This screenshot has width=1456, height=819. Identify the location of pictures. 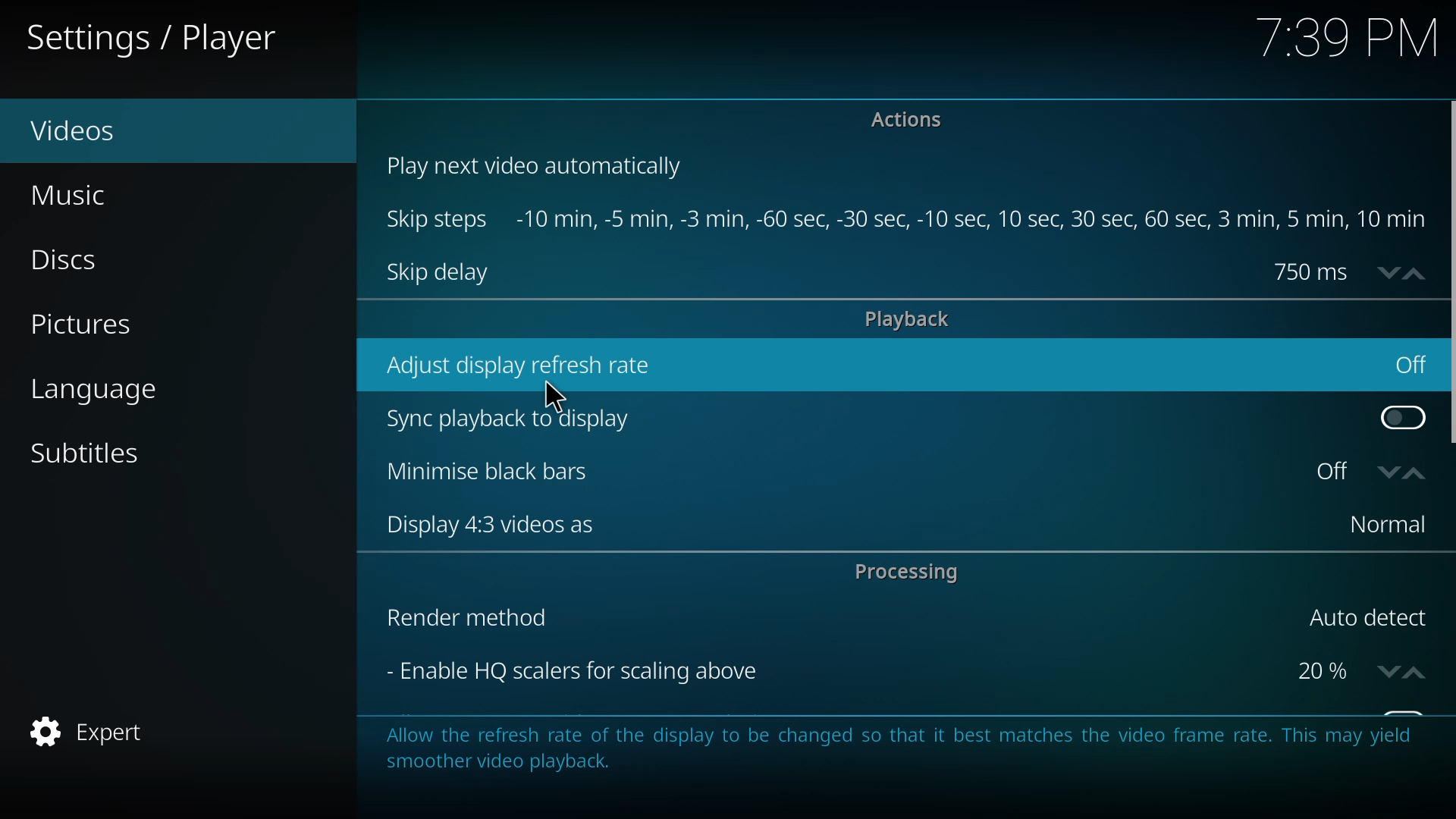
(80, 326).